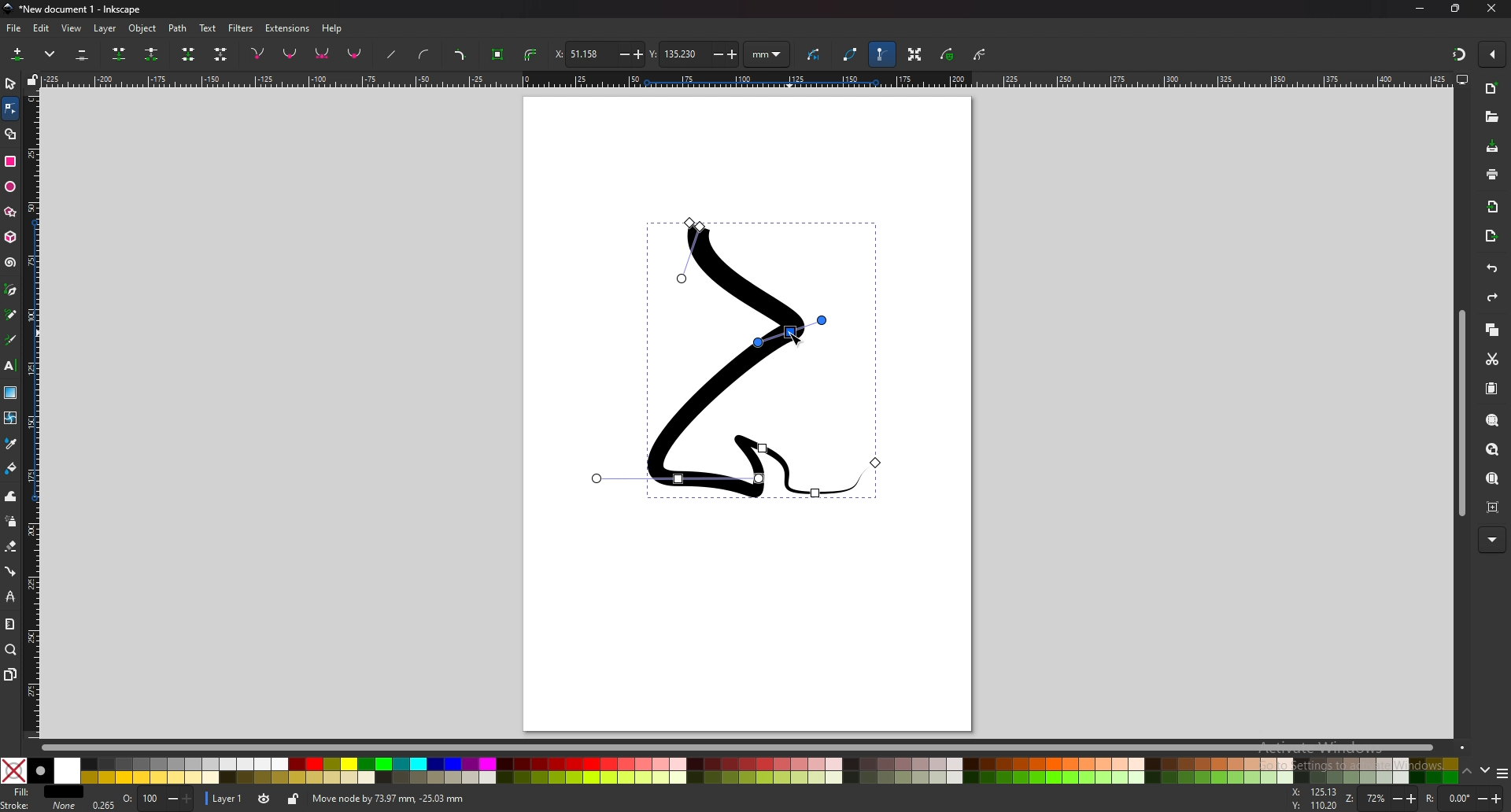 This screenshot has height=812, width=1511. Describe the element at coordinates (393, 56) in the screenshot. I see `straighten lines` at that location.